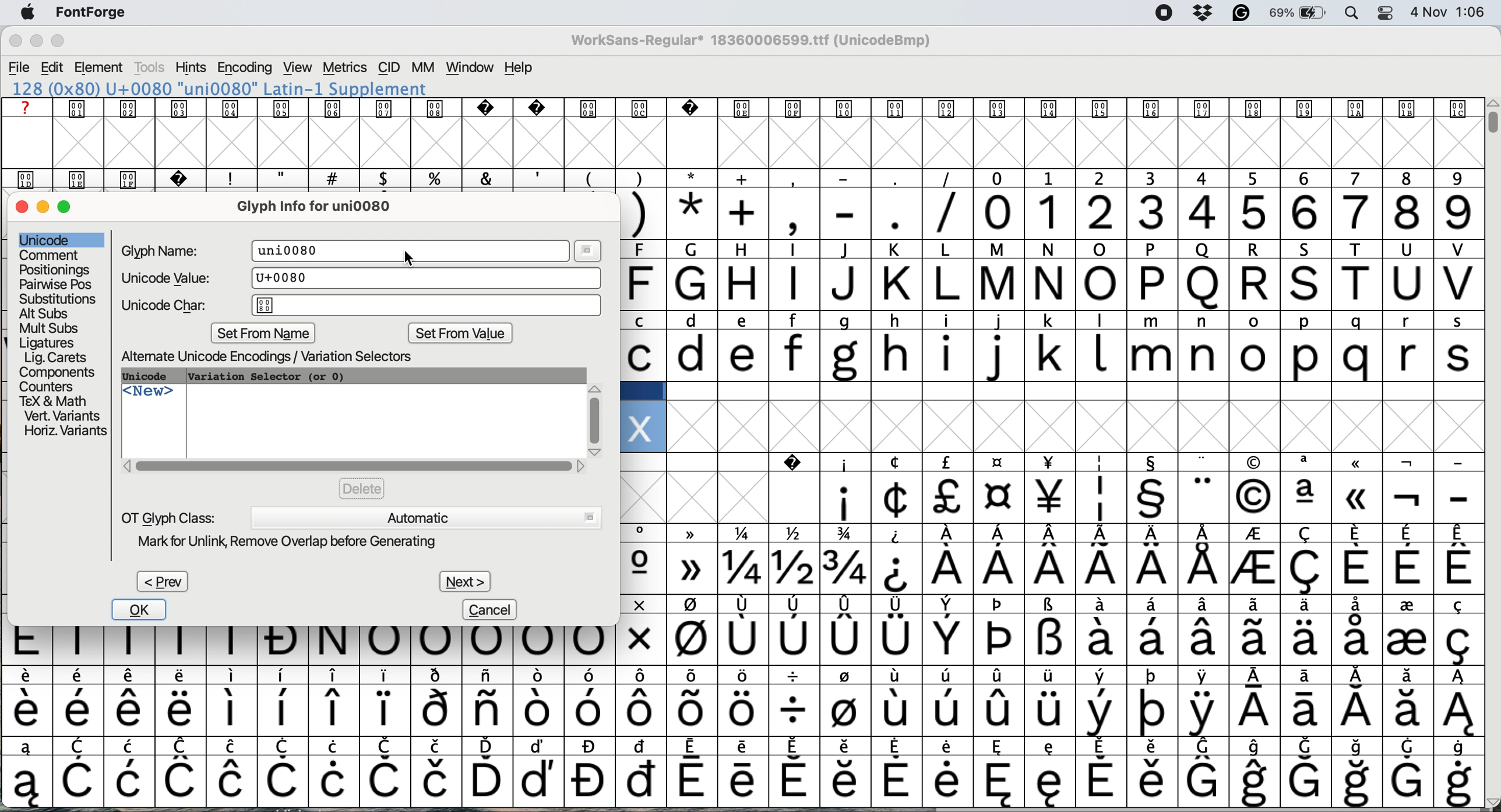 The width and height of the screenshot is (1501, 812). I want to click on glyph name, so click(220, 251).